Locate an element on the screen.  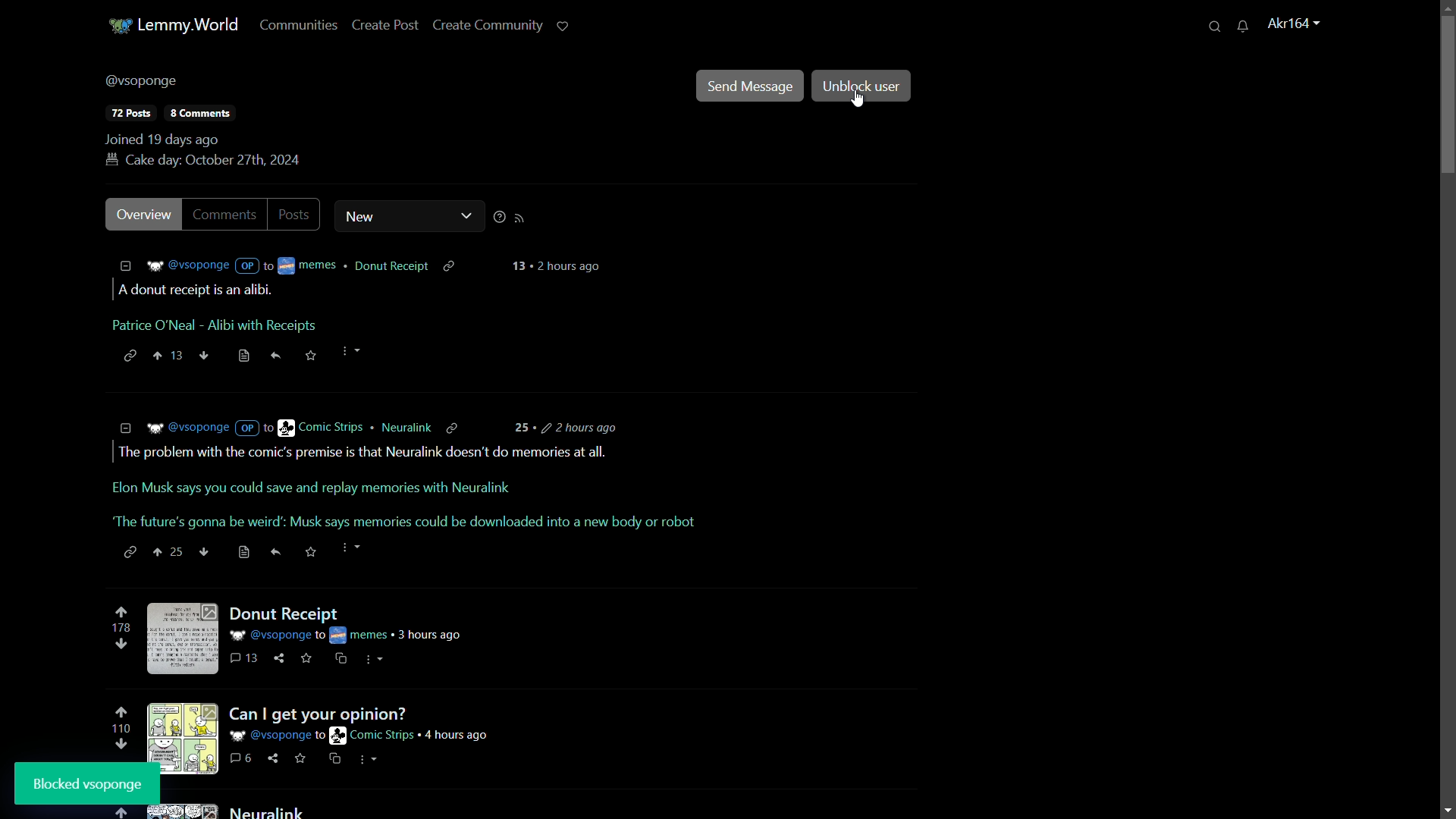
create community is located at coordinates (488, 27).